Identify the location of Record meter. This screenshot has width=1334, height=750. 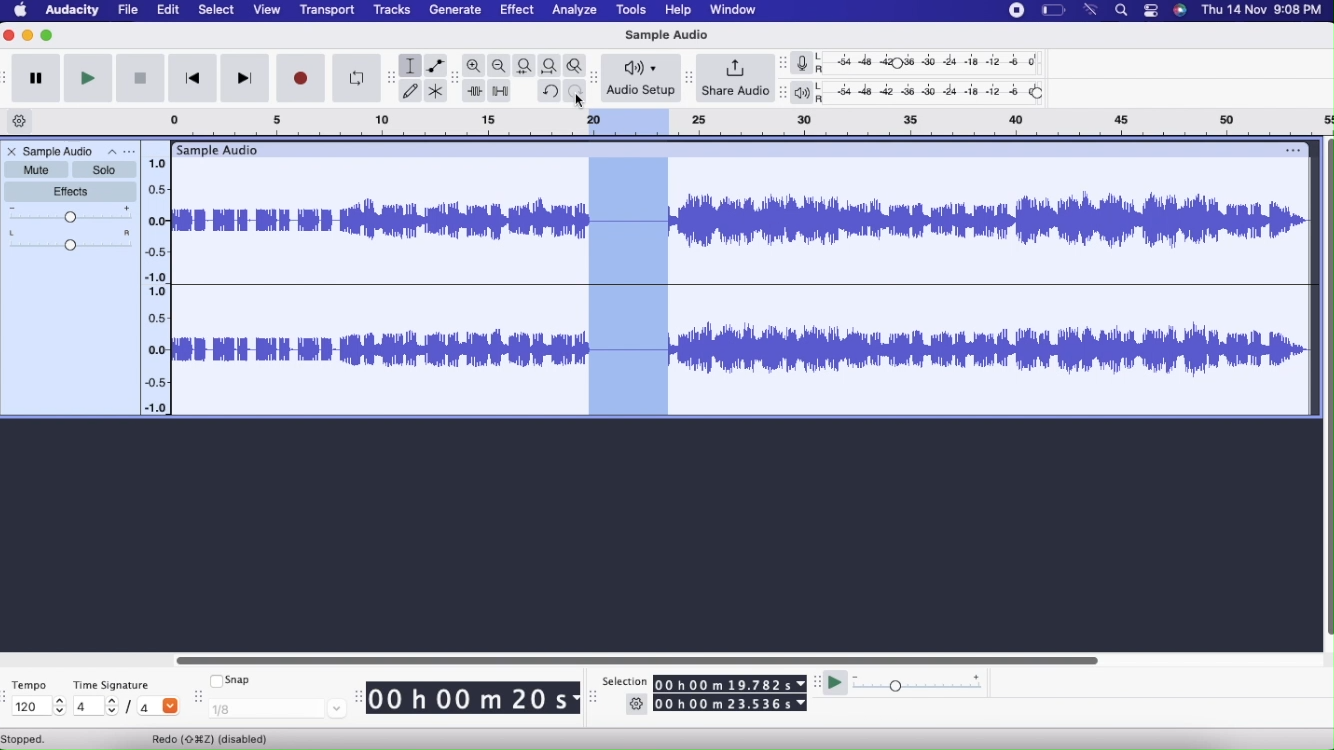
(808, 64).